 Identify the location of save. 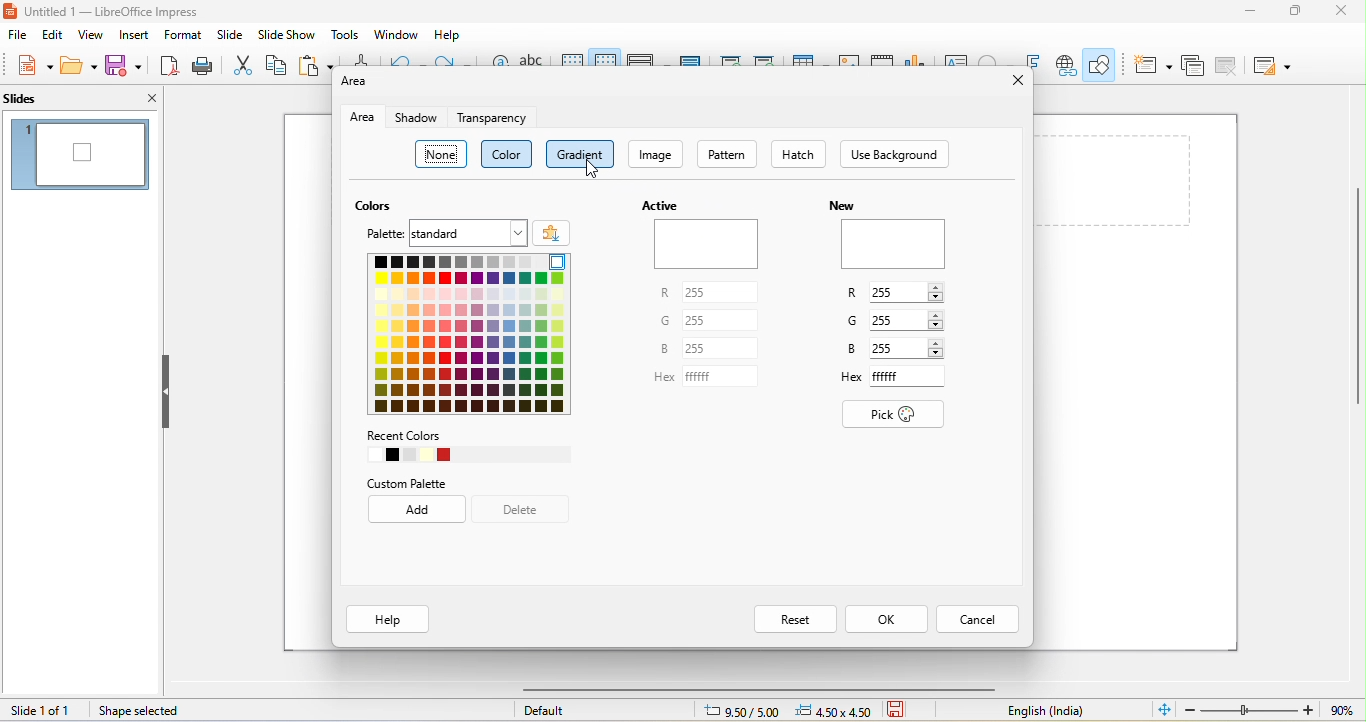
(902, 711).